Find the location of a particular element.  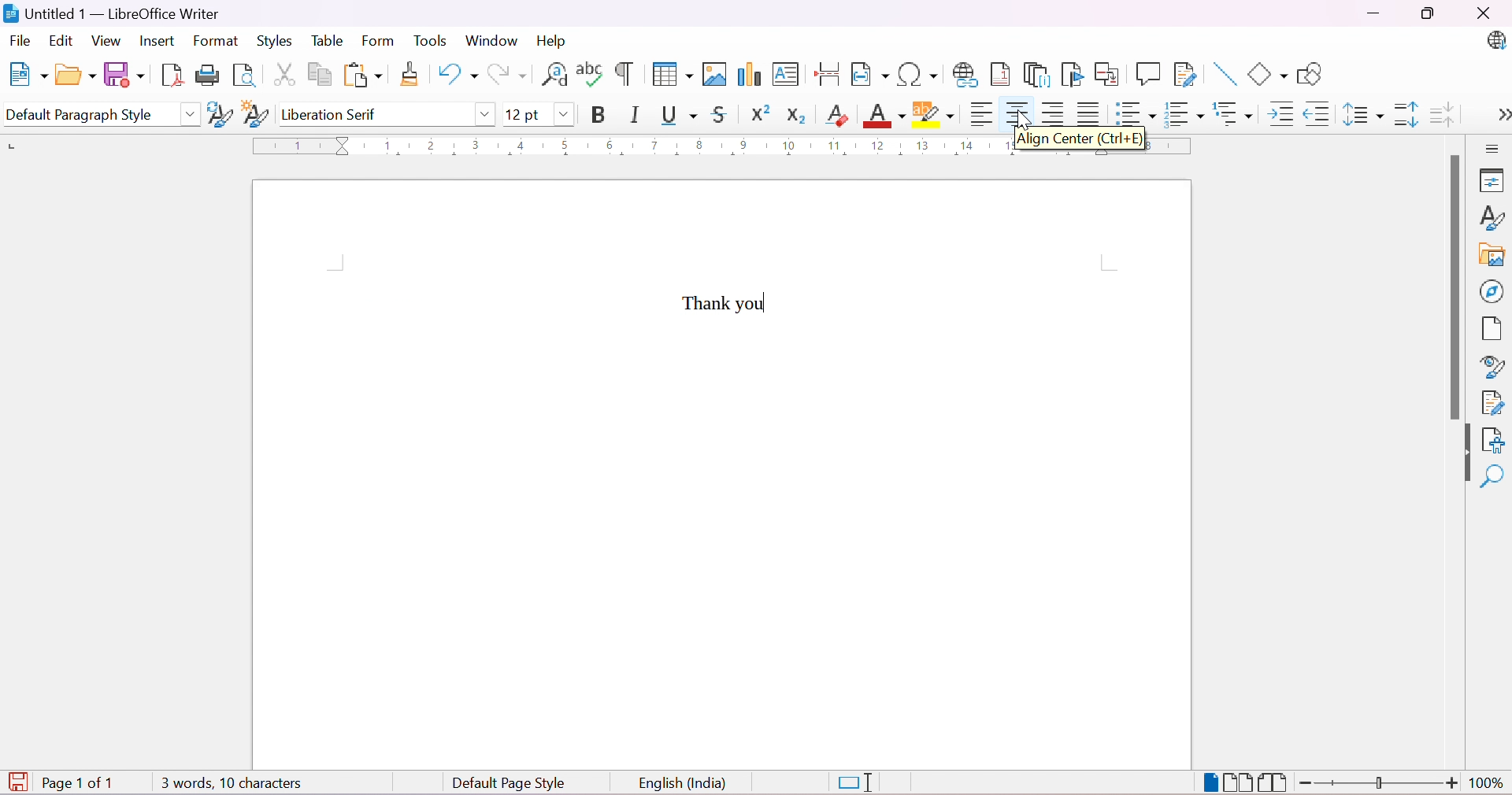

Page is located at coordinates (1488, 328).